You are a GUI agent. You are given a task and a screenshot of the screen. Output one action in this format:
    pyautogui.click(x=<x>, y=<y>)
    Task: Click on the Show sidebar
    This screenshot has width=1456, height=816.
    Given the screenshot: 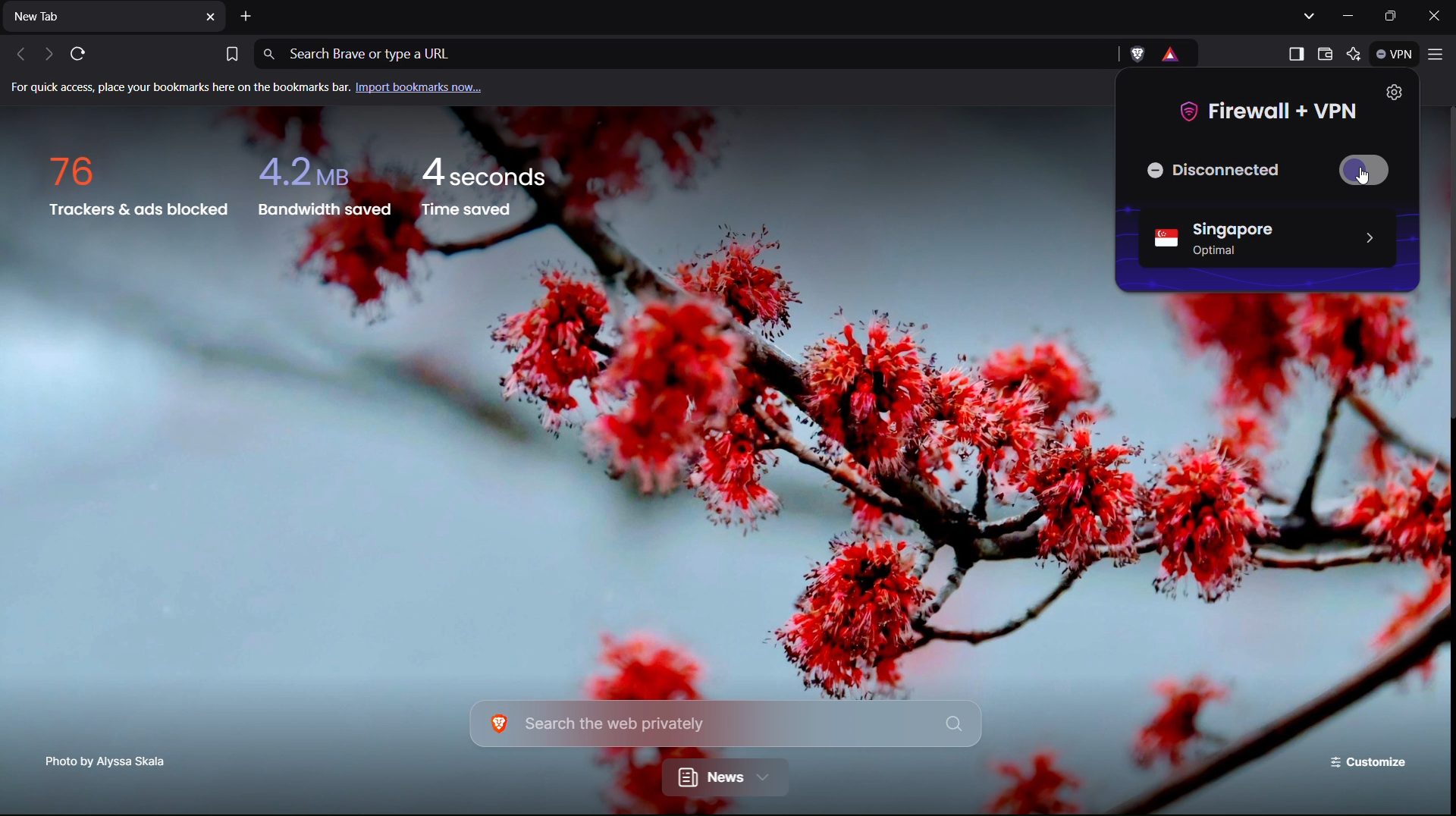 What is the action you would take?
    pyautogui.click(x=1295, y=54)
    